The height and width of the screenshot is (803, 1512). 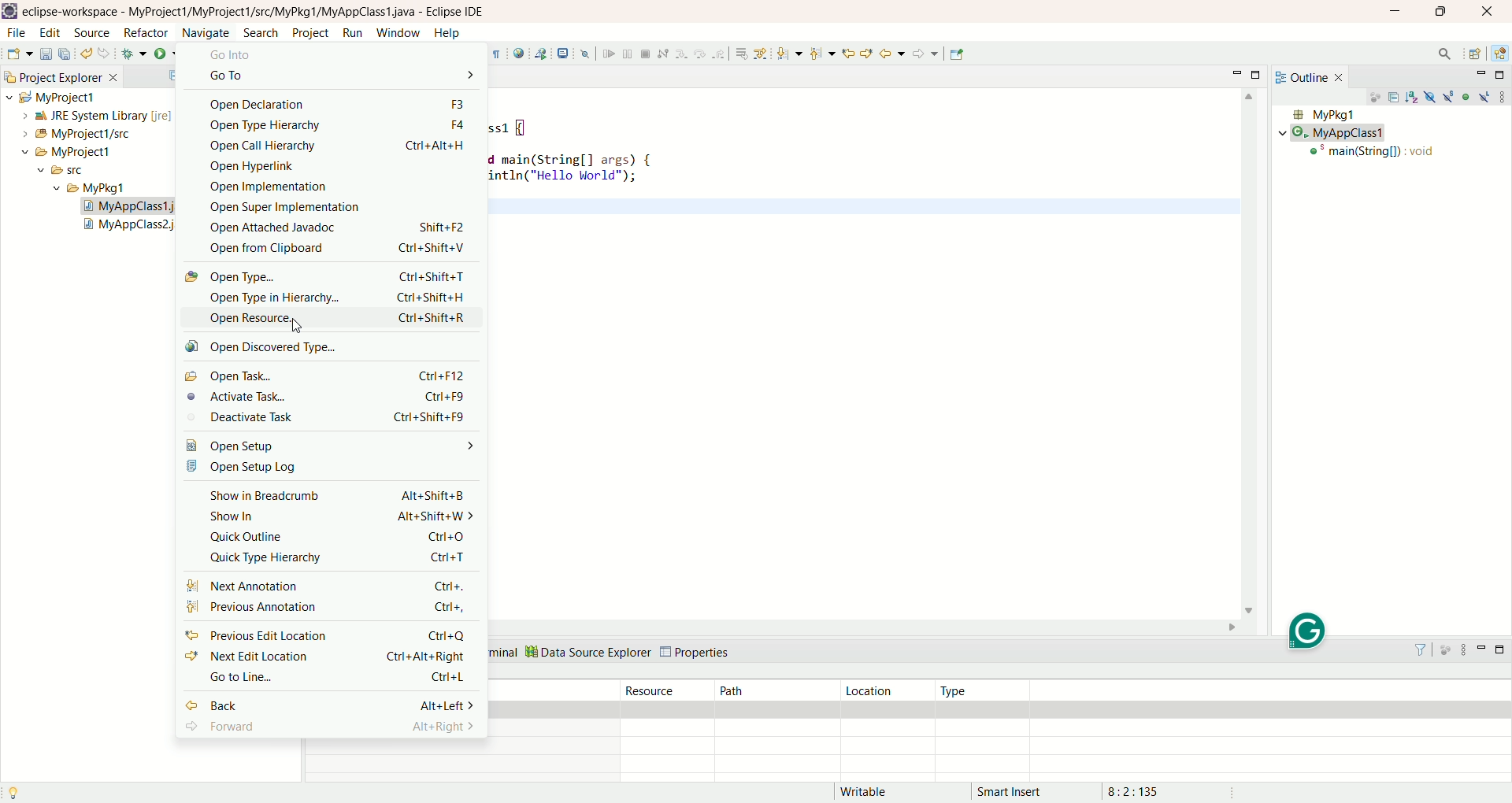 I want to click on debug, so click(x=135, y=56).